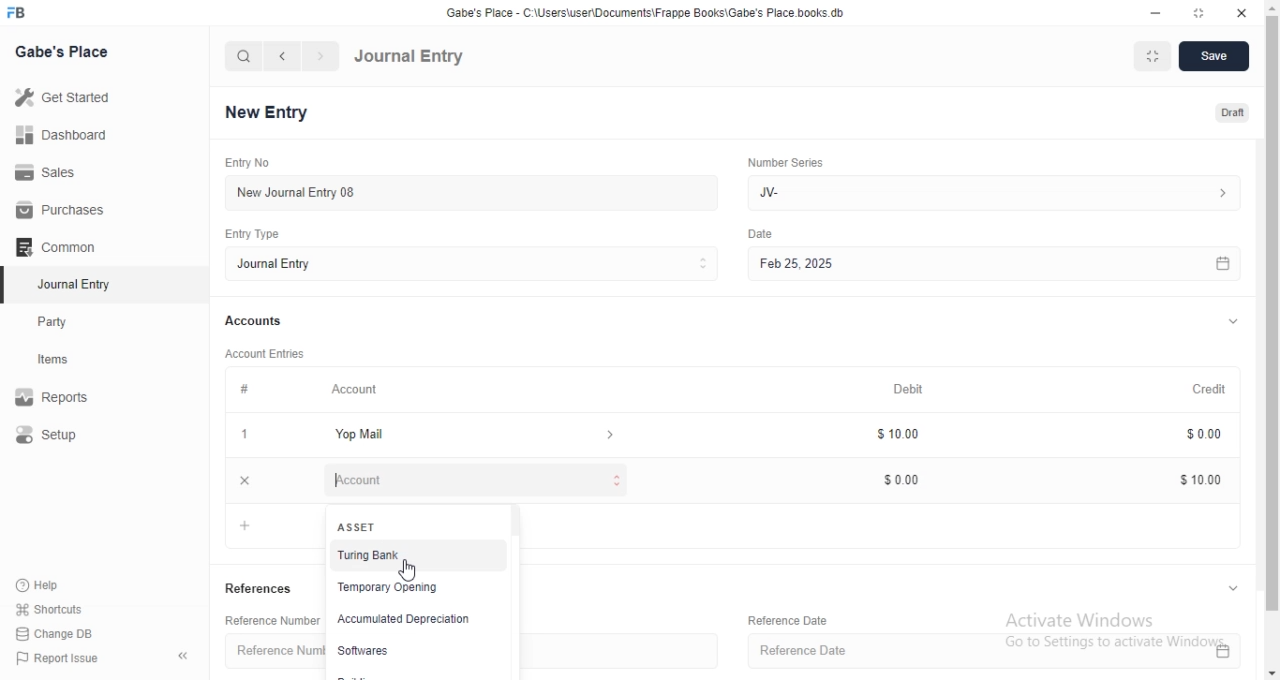 The image size is (1280, 680). I want to click on Purchases, so click(58, 210).